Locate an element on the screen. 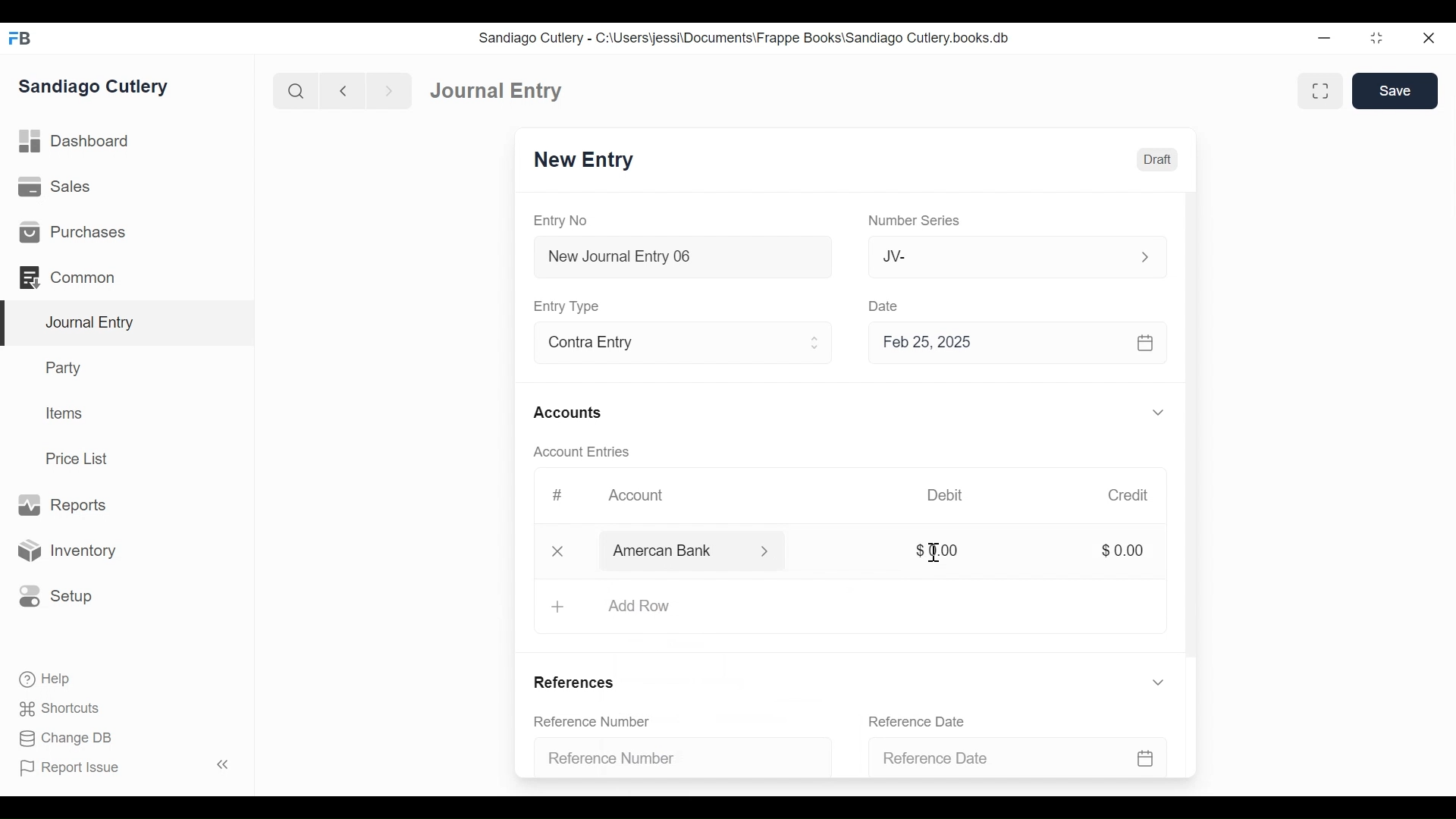 The height and width of the screenshot is (819, 1456). Expand is located at coordinates (767, 551).